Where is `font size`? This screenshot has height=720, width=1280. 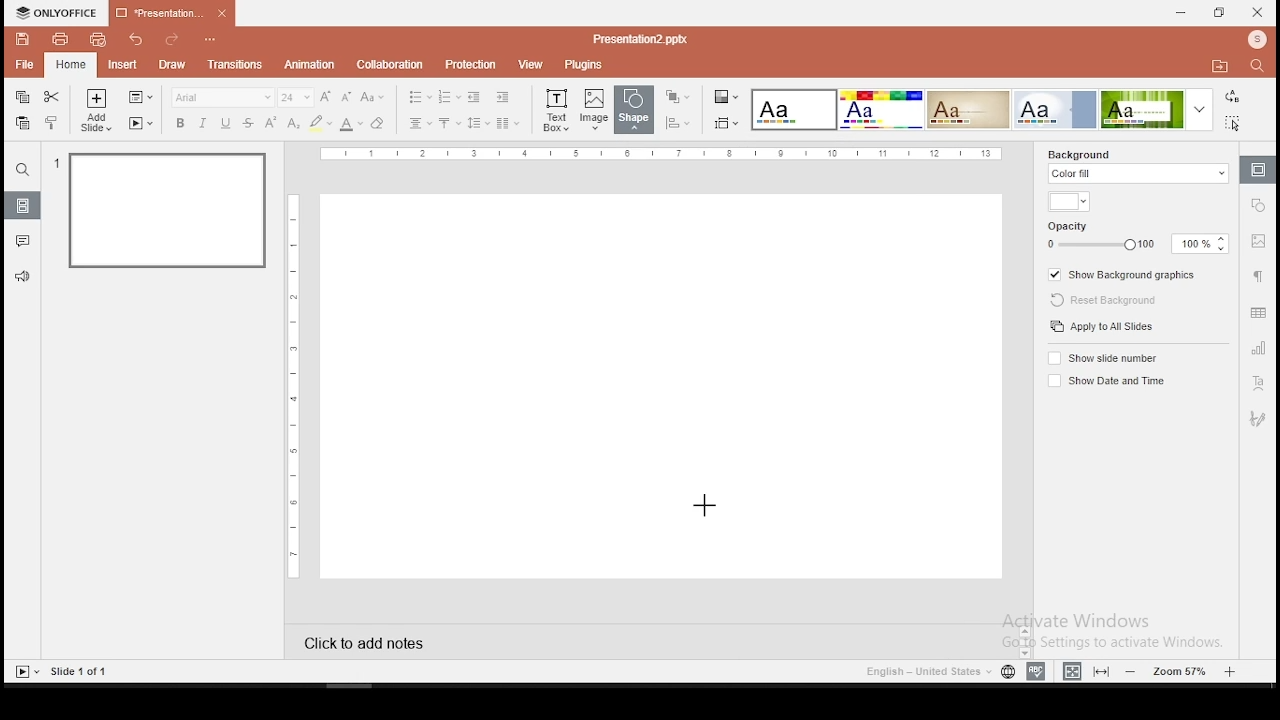
font size is located at coordinates (297, 97).